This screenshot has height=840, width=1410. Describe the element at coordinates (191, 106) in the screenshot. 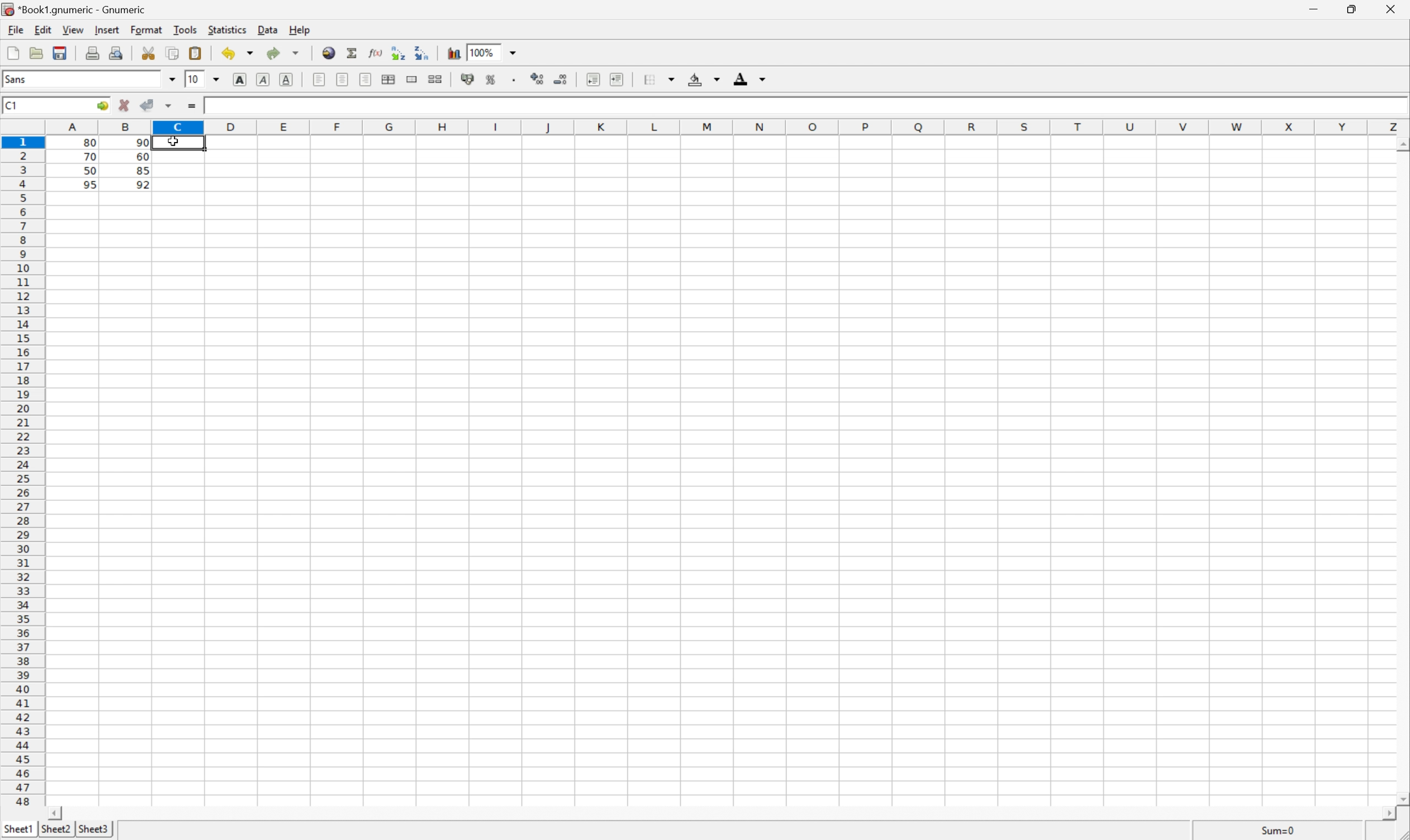

I see `Enter formula` at that location.